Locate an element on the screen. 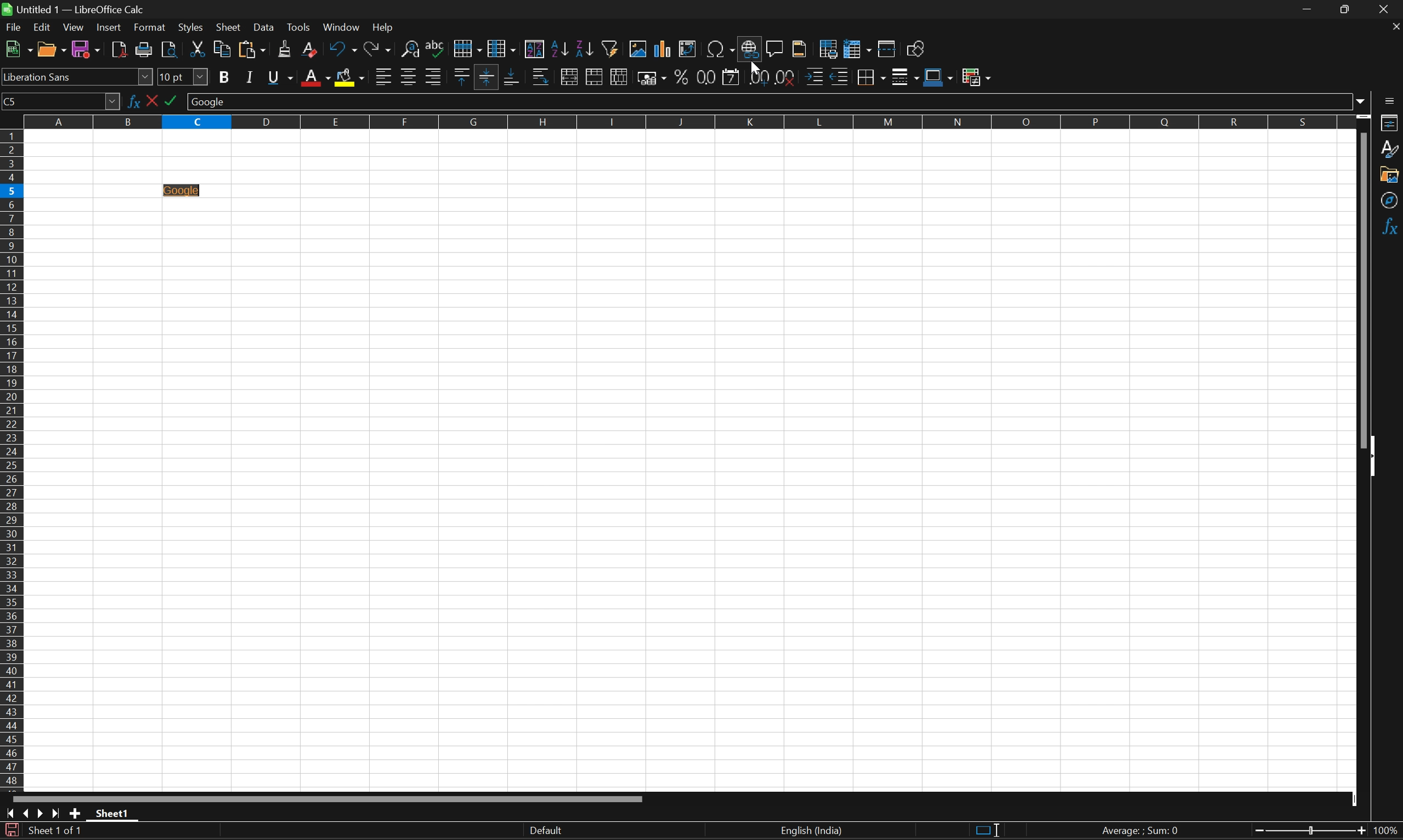 This screenshot has width=1403, height=840. Hide is located at coordinates (1376, 457).